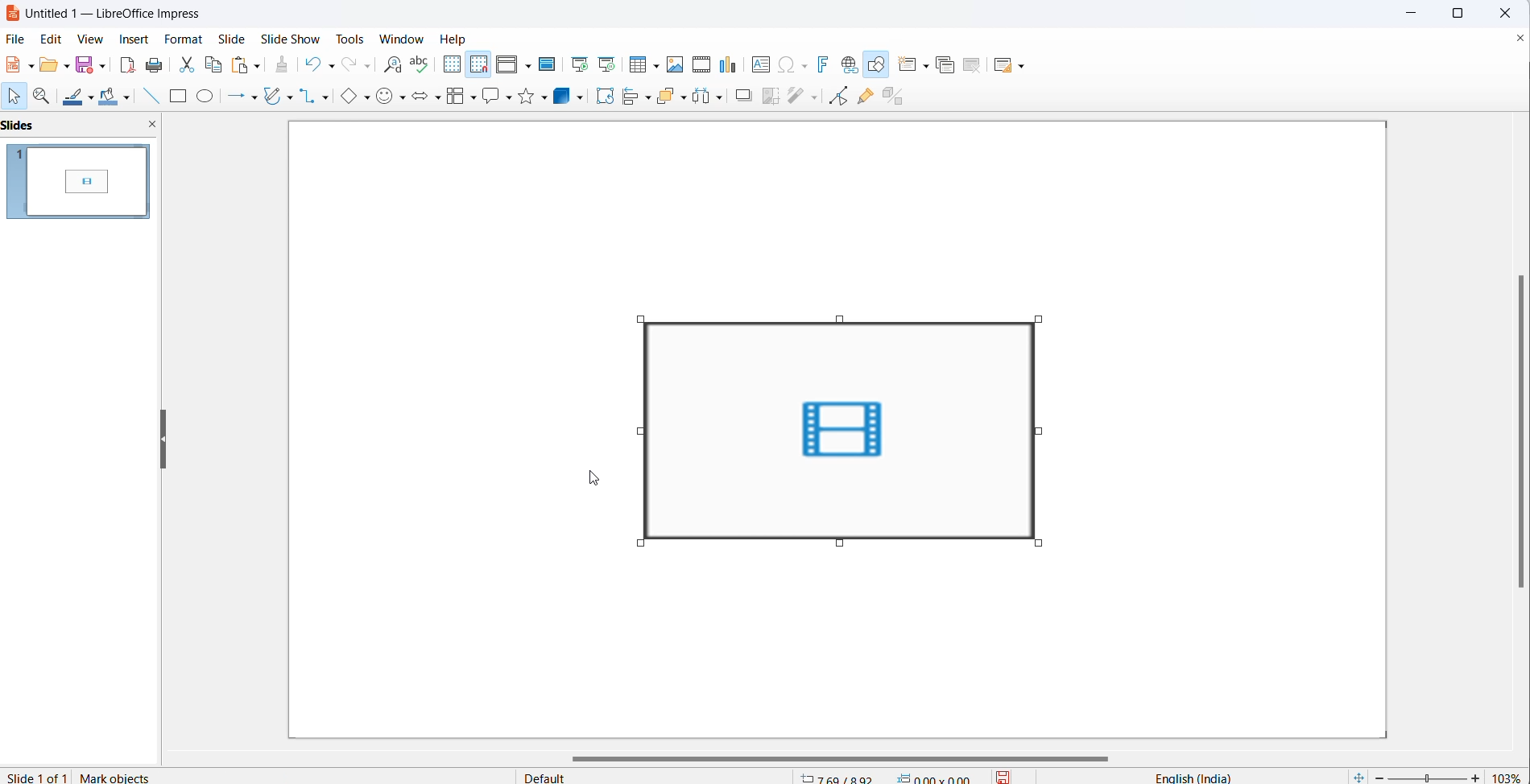  I want to click on start from current slide, so click(609, 64).